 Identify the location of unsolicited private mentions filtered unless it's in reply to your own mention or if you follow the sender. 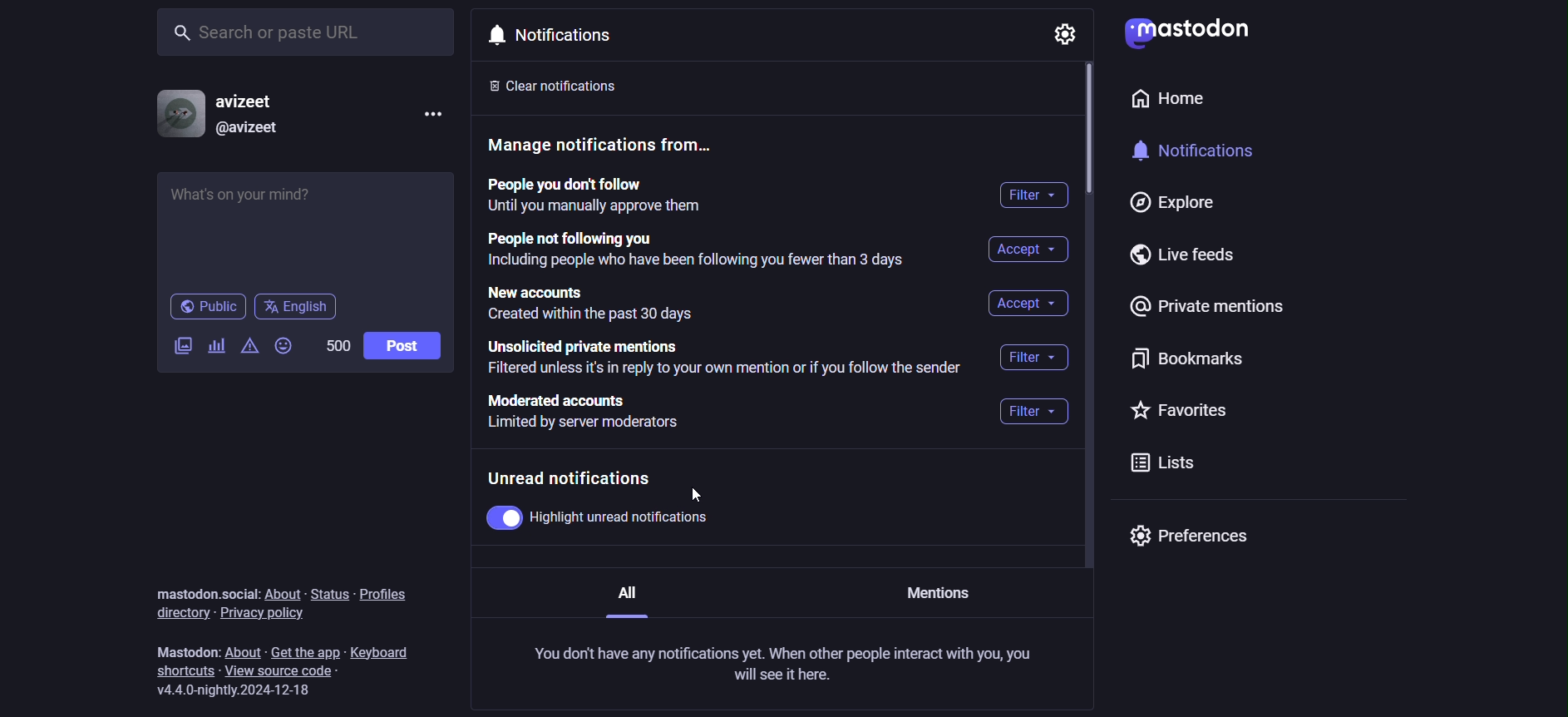
(722, 359).